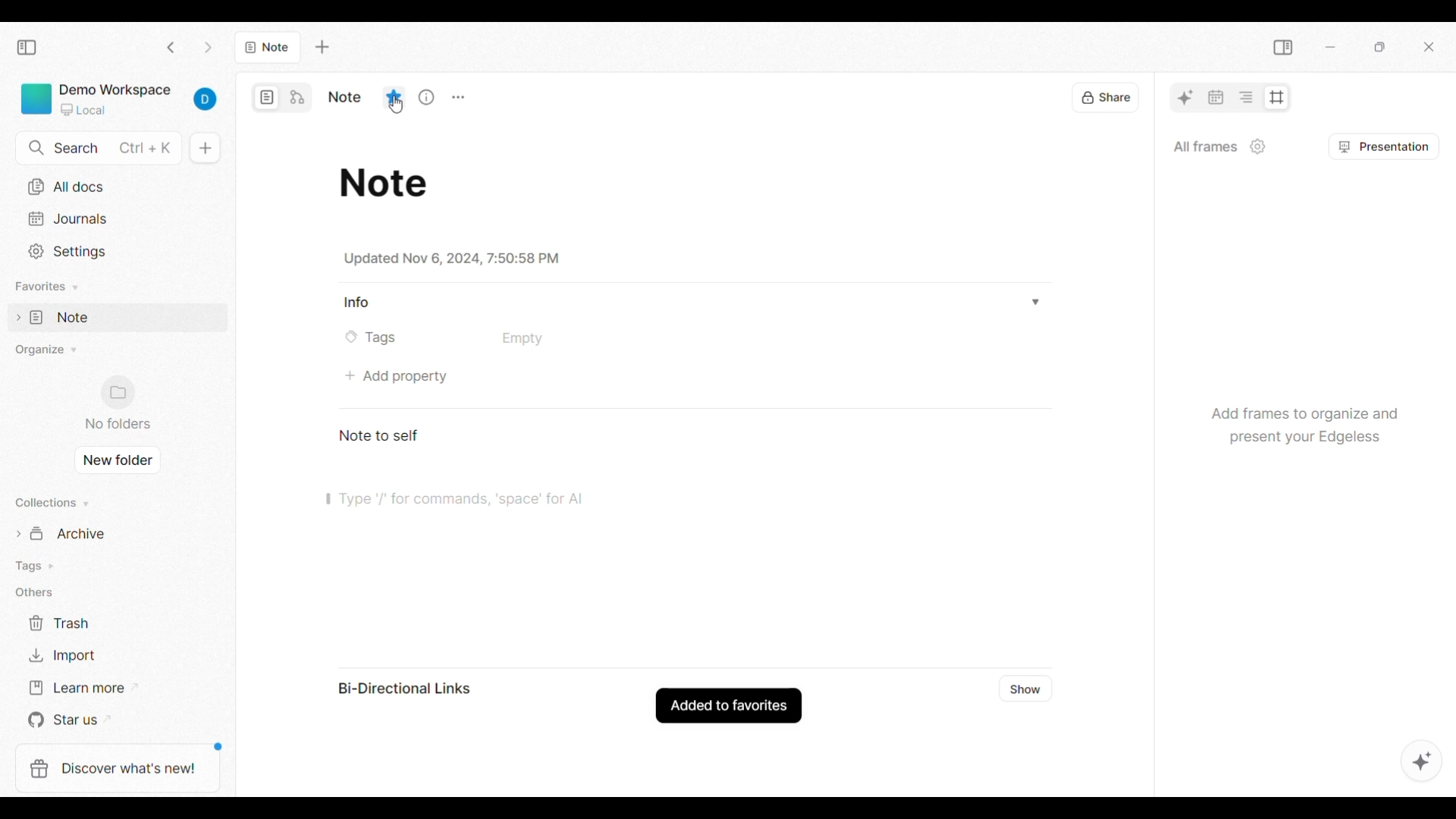 The width and height of the screenshot is (1456, 819). What do you see at coordinates (209, 48) in the screenshot?
I see `Go forward` at bounding box center [209, 48].